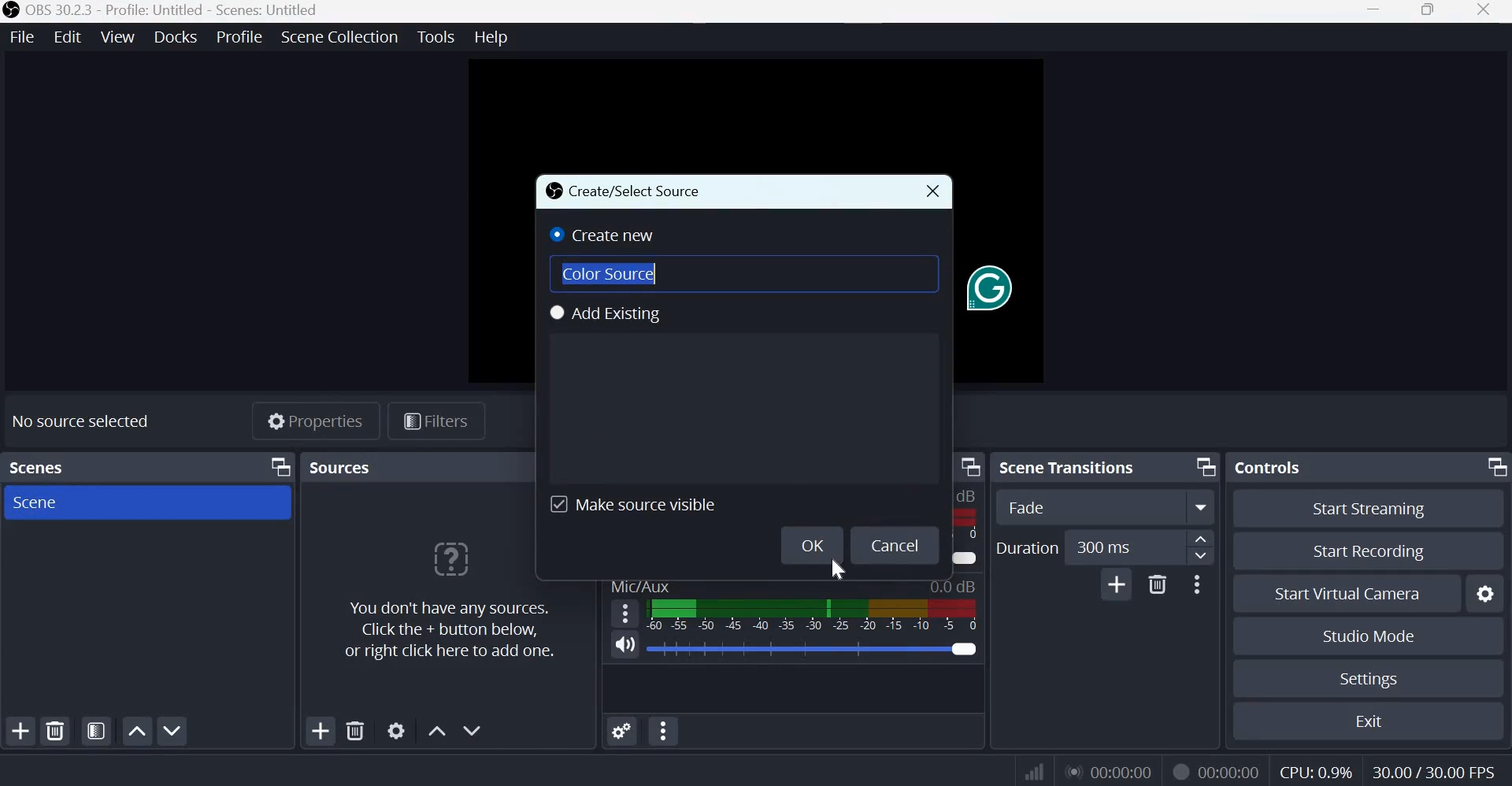 This screenshot has width=1512, height=786. What do you see at coordinates (1373, 13) in the screenshot?
I see `Minimize` at bounding box center [1373, 13].